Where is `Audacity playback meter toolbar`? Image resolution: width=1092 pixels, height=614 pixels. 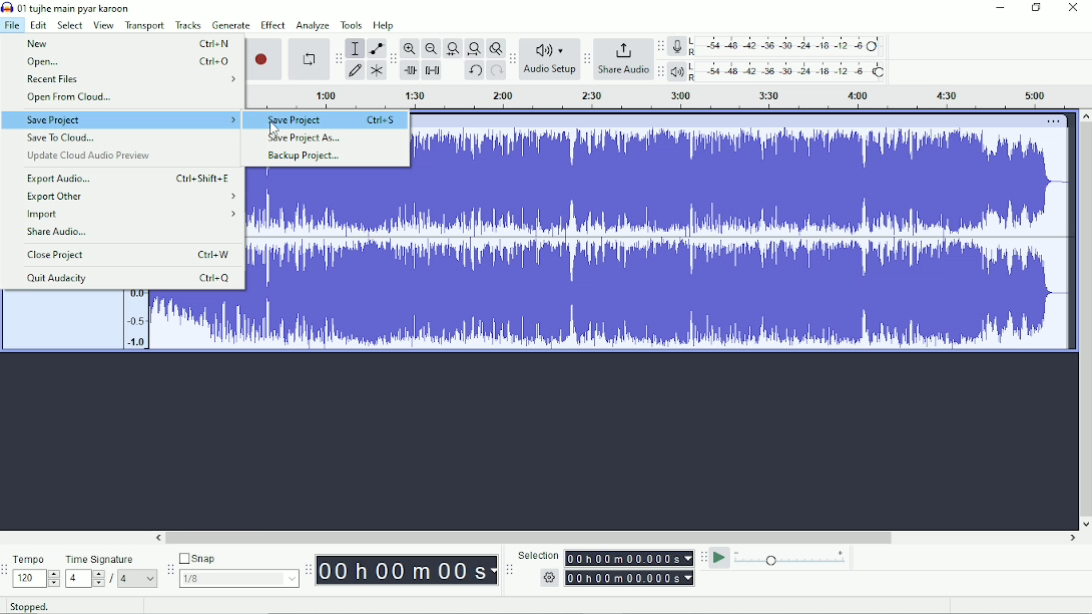
Audacity playback meter toolbar is located at coordinates (662, 71).